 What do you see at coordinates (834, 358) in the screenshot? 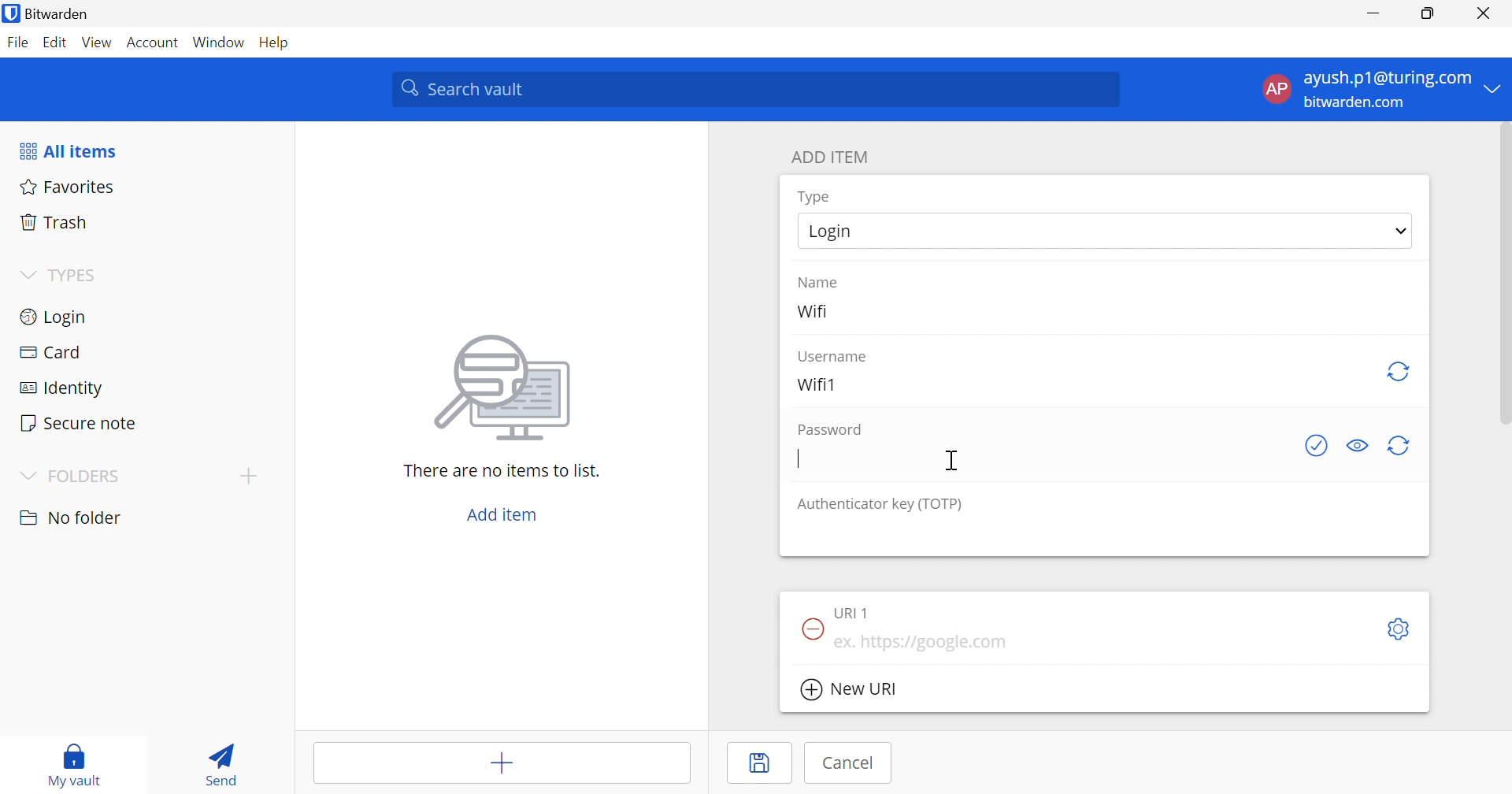
I see `Username` at bounding box center [834, 358].